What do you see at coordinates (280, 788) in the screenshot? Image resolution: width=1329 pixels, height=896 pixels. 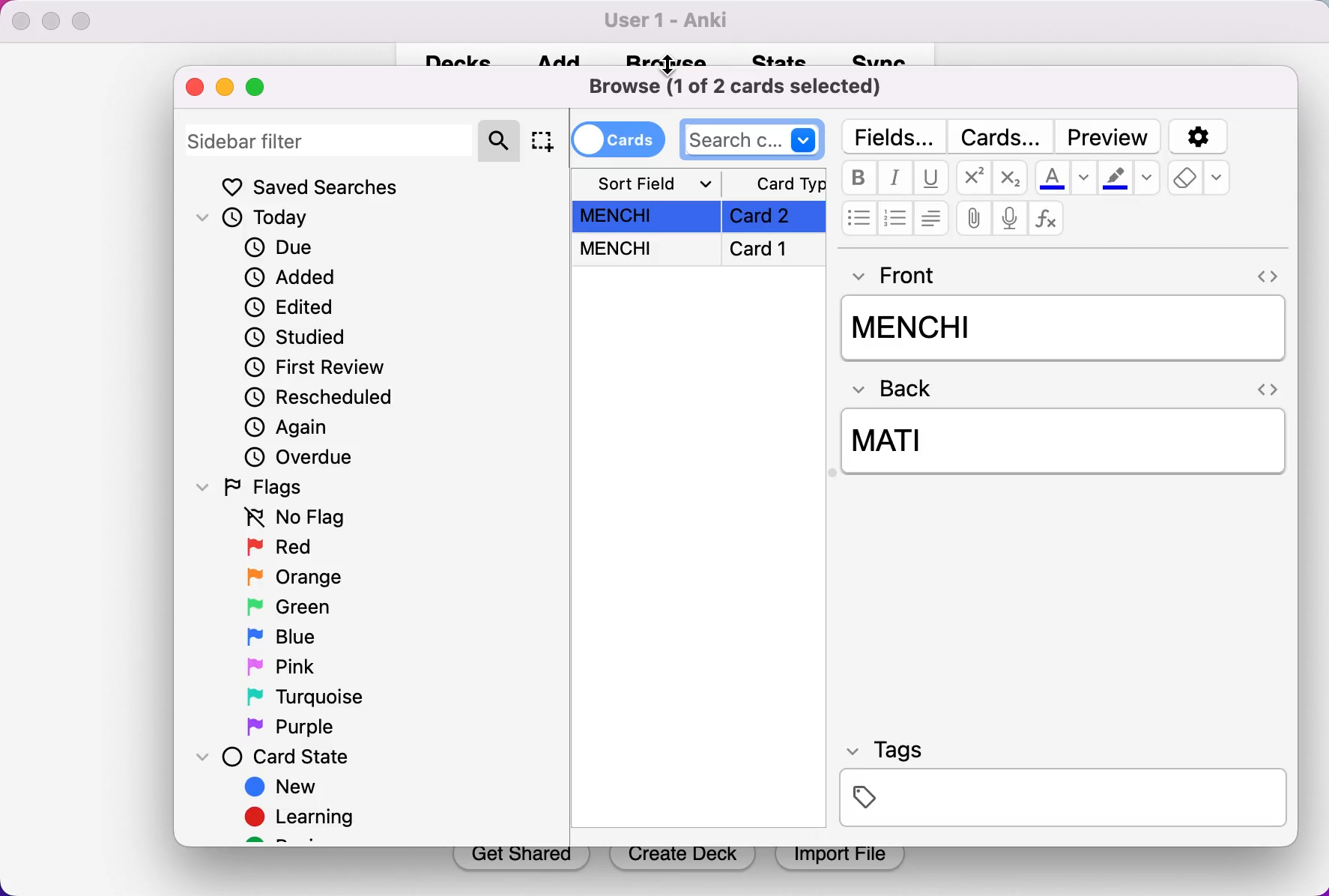 I see `new ` at bounding box center [280, 788].